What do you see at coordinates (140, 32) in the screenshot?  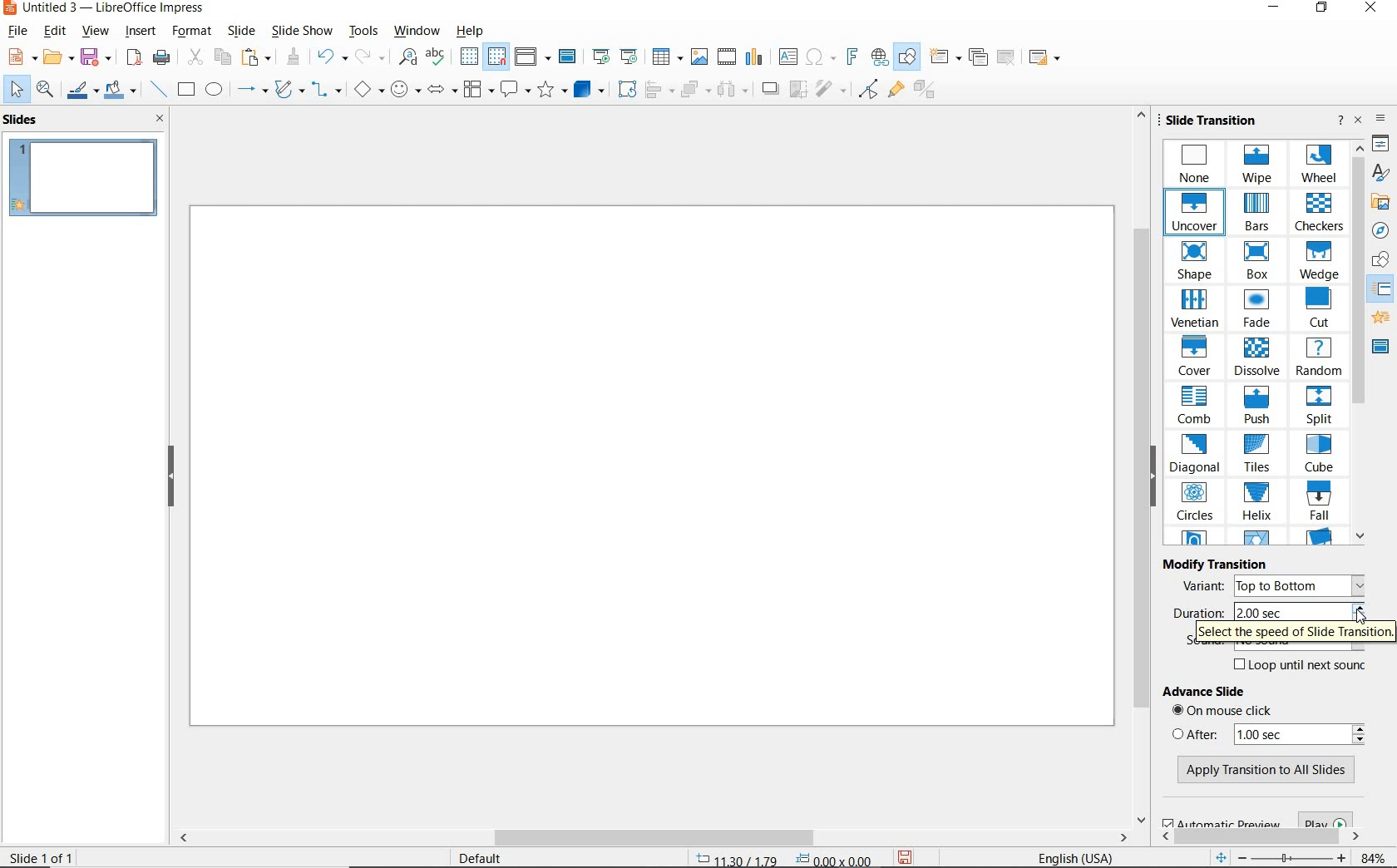 I see `INSERT` at bounding box center [140, 32].